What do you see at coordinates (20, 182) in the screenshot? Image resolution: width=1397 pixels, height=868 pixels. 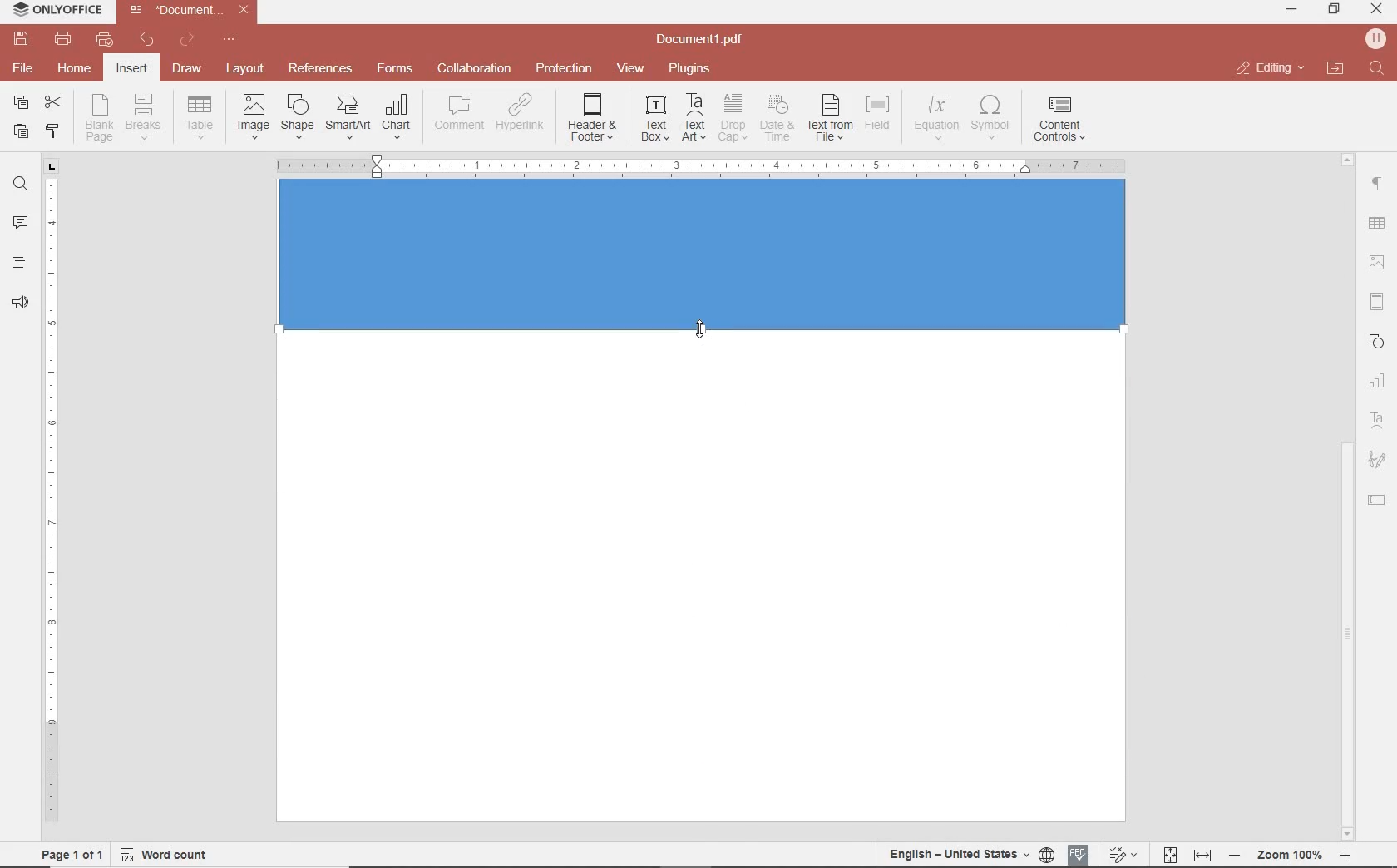 I see `find` at bounding box center [20, 182].